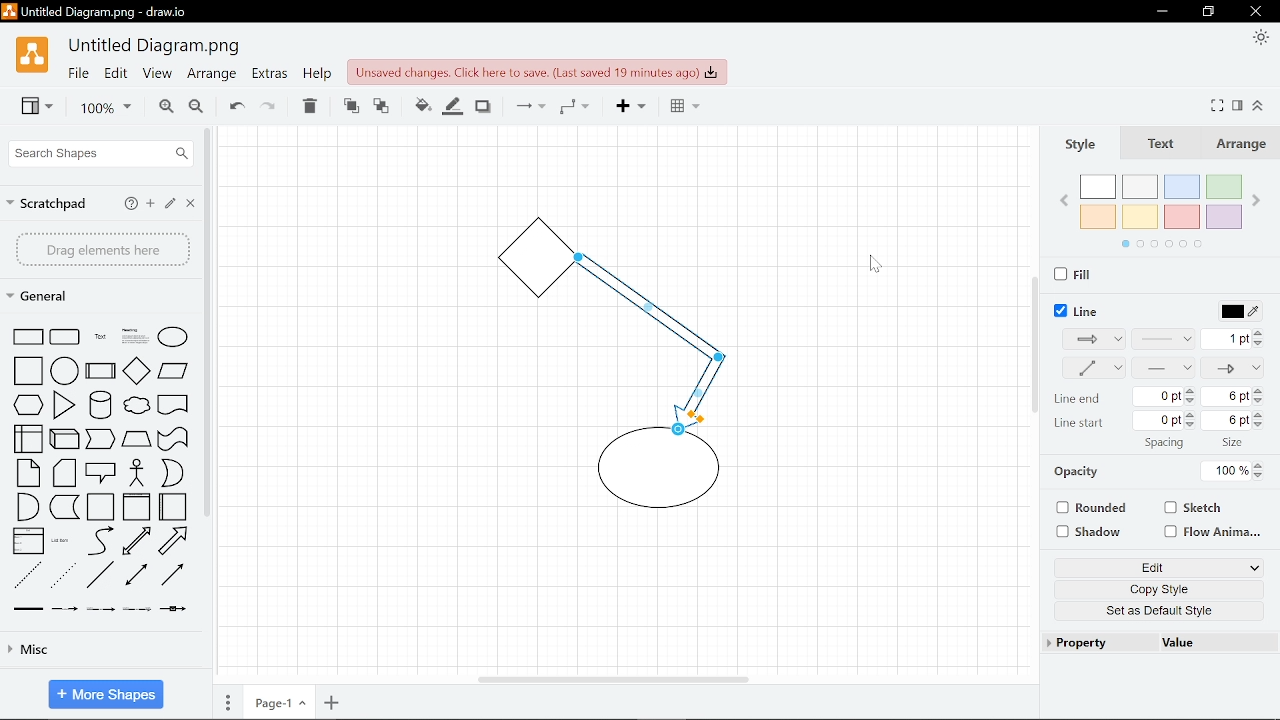  What do you see at coordinates (528, 107) in the screenshot?
I see `Connections` at bounding box center [528, 107].